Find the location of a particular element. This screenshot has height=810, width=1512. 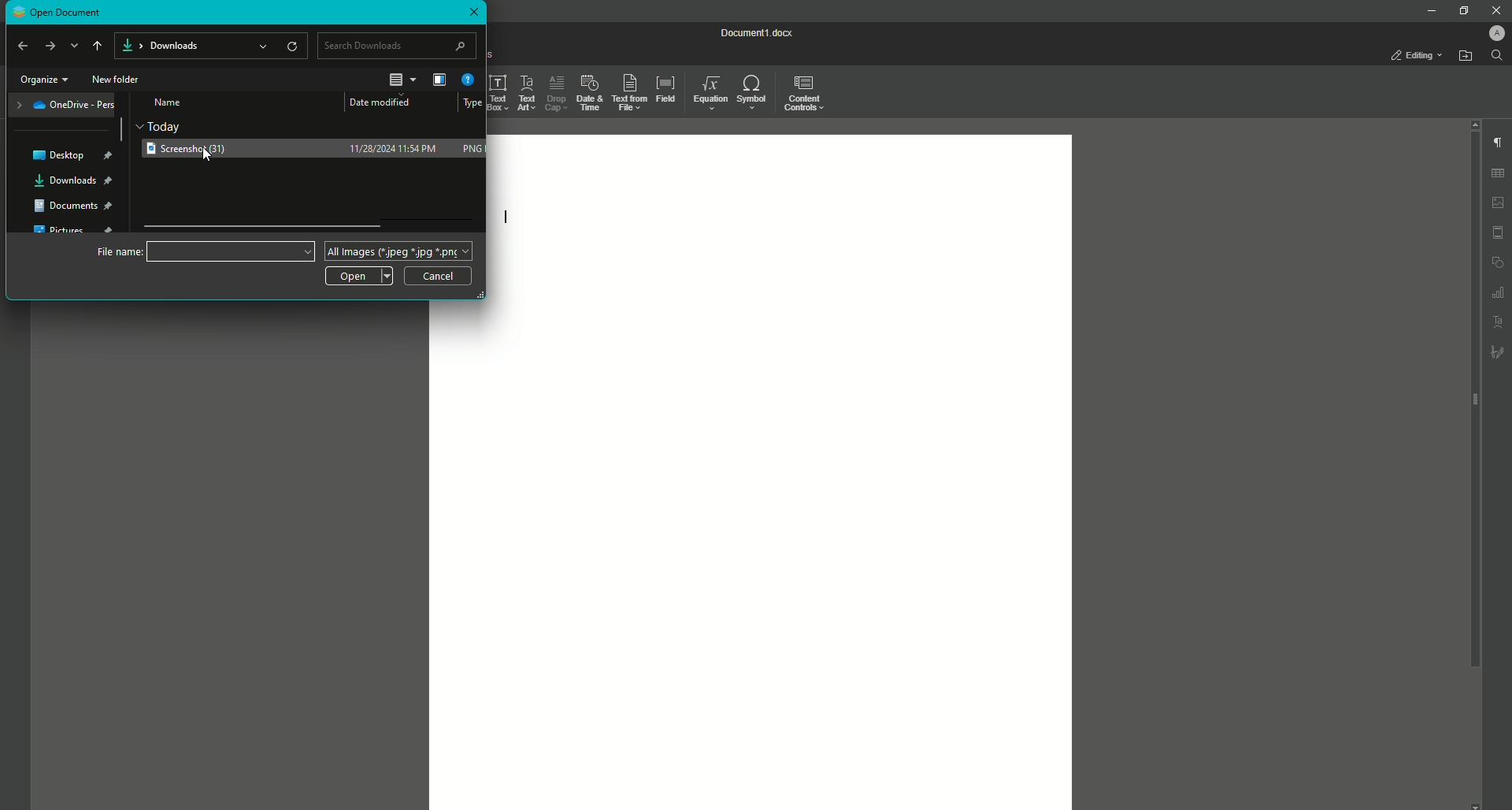

Date is located at coordinates (397, 148).